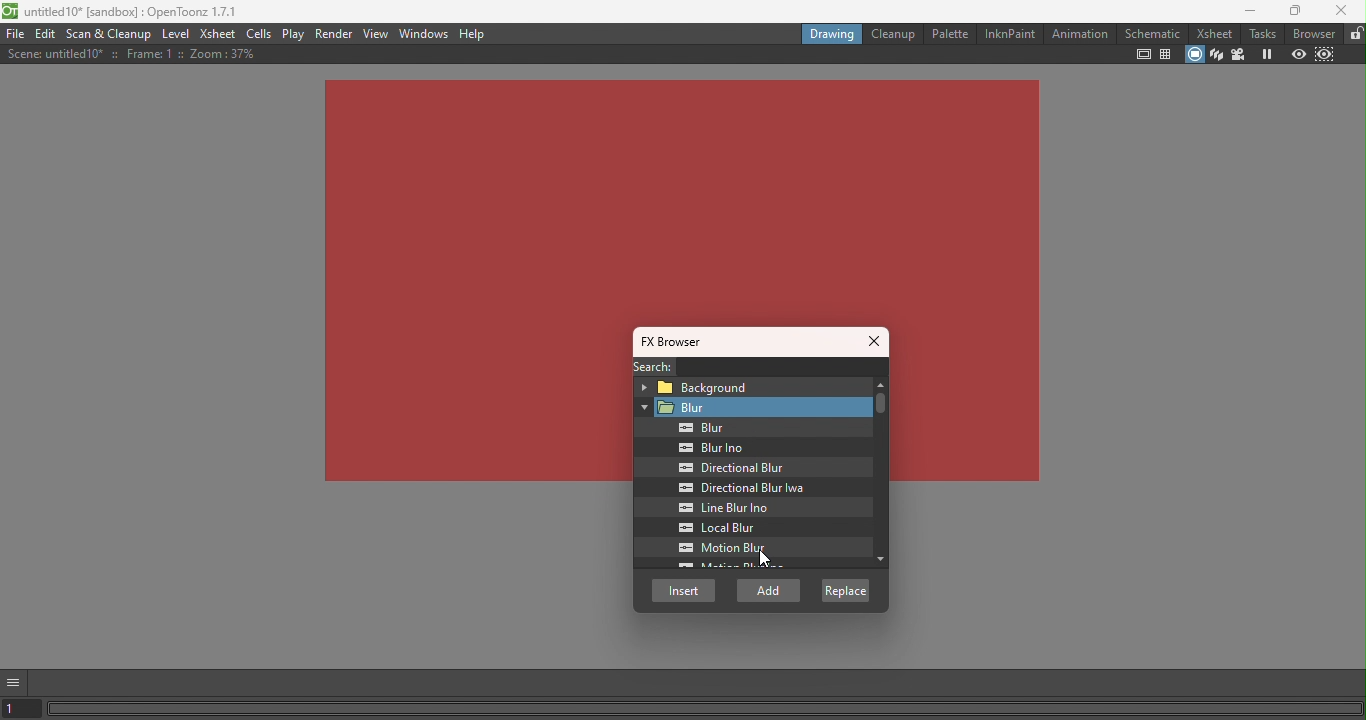 The width and height of the screenshot is (1366, 720). Describe the element at coordinates (1325, 55) in the screenshot. I see `Sub-camera preview` at that location.